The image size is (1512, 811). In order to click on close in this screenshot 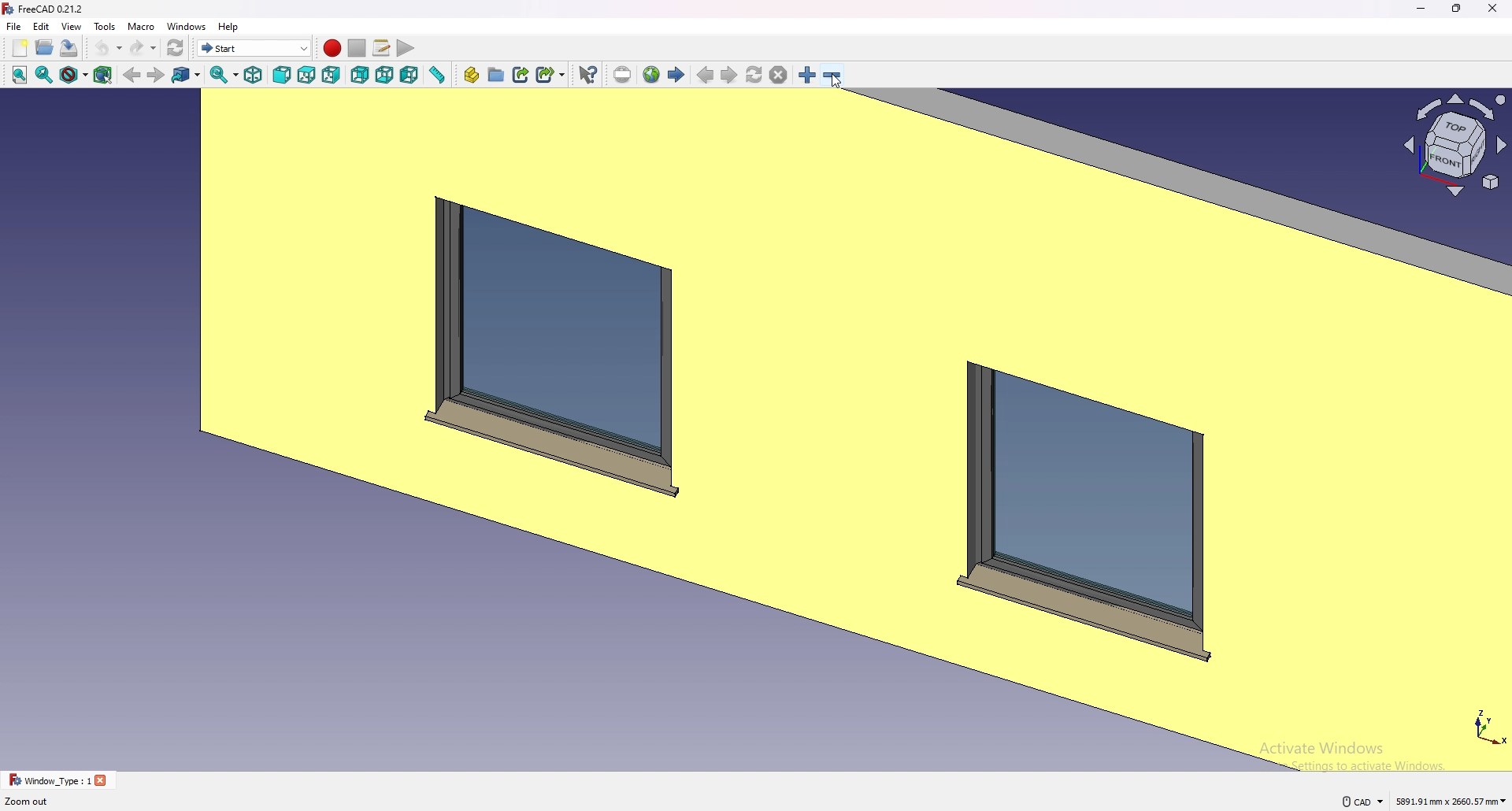, I will do `click(1493, 9)`.